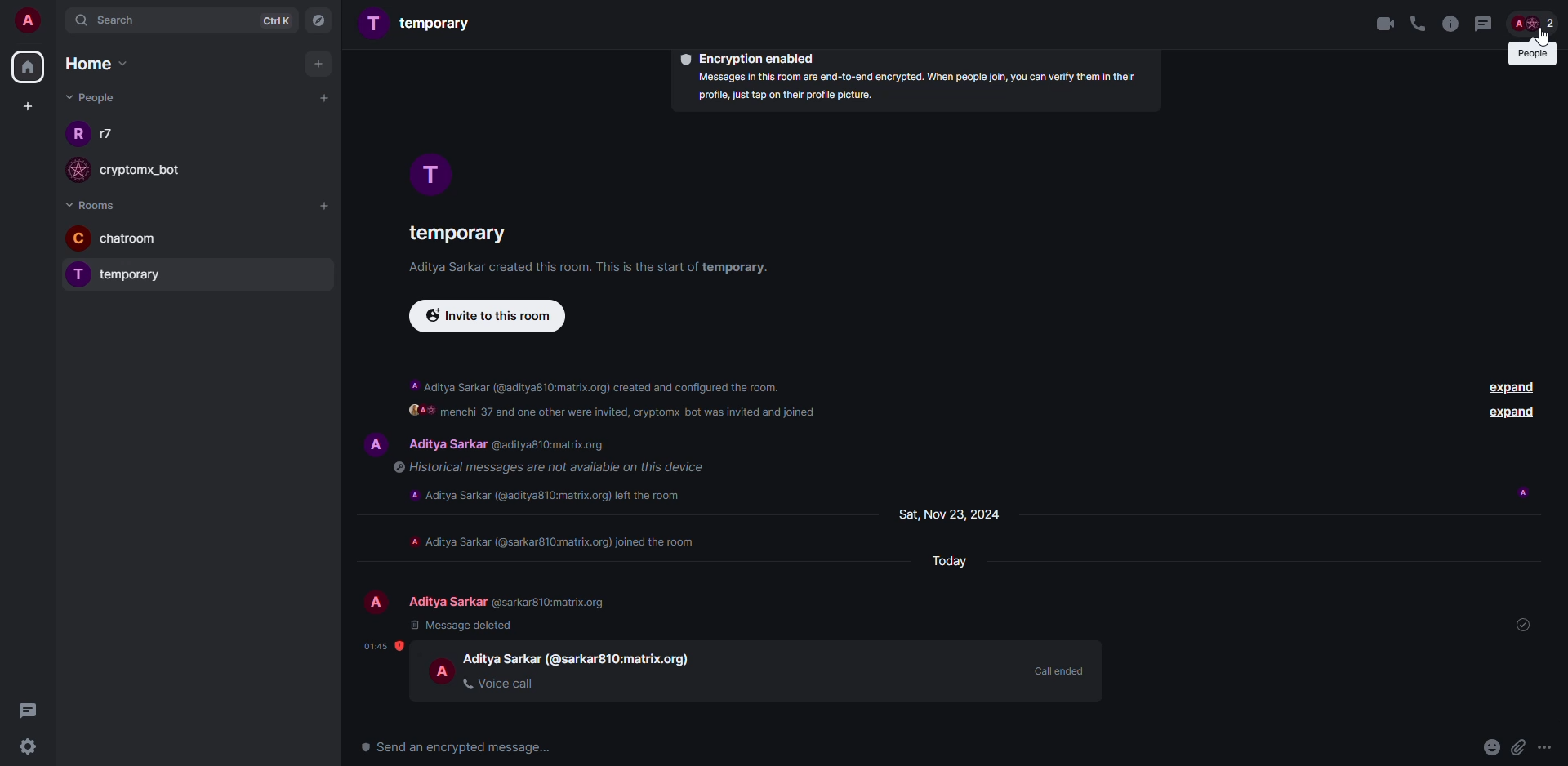 The image size is (1568, 766). I want to click on navigator, so click(320, 20).